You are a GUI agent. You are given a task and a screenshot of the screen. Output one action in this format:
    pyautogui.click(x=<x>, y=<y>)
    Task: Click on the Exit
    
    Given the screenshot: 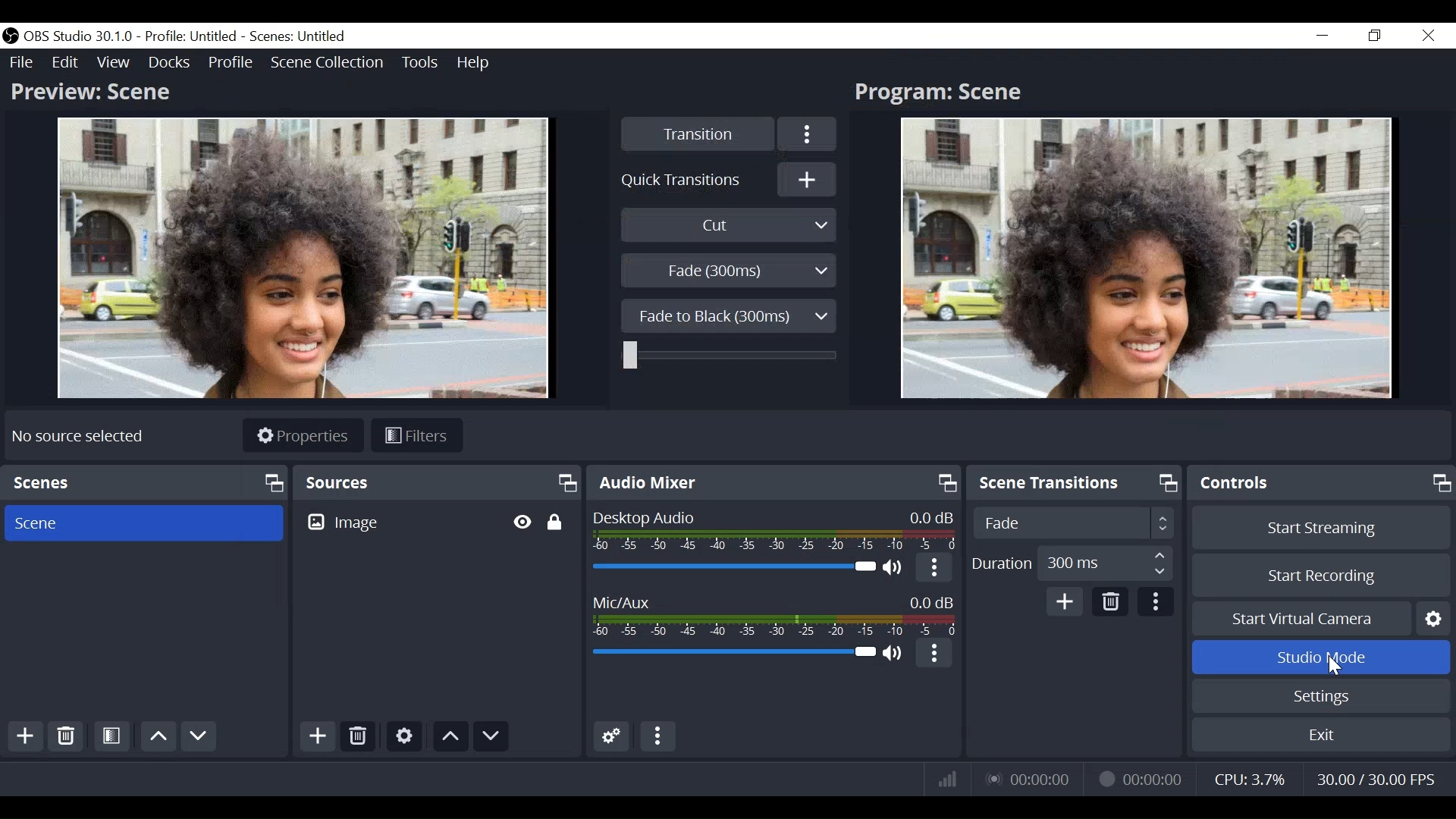 What is the action you would take?
    pyautogui.click(x=1319, y=737)
    